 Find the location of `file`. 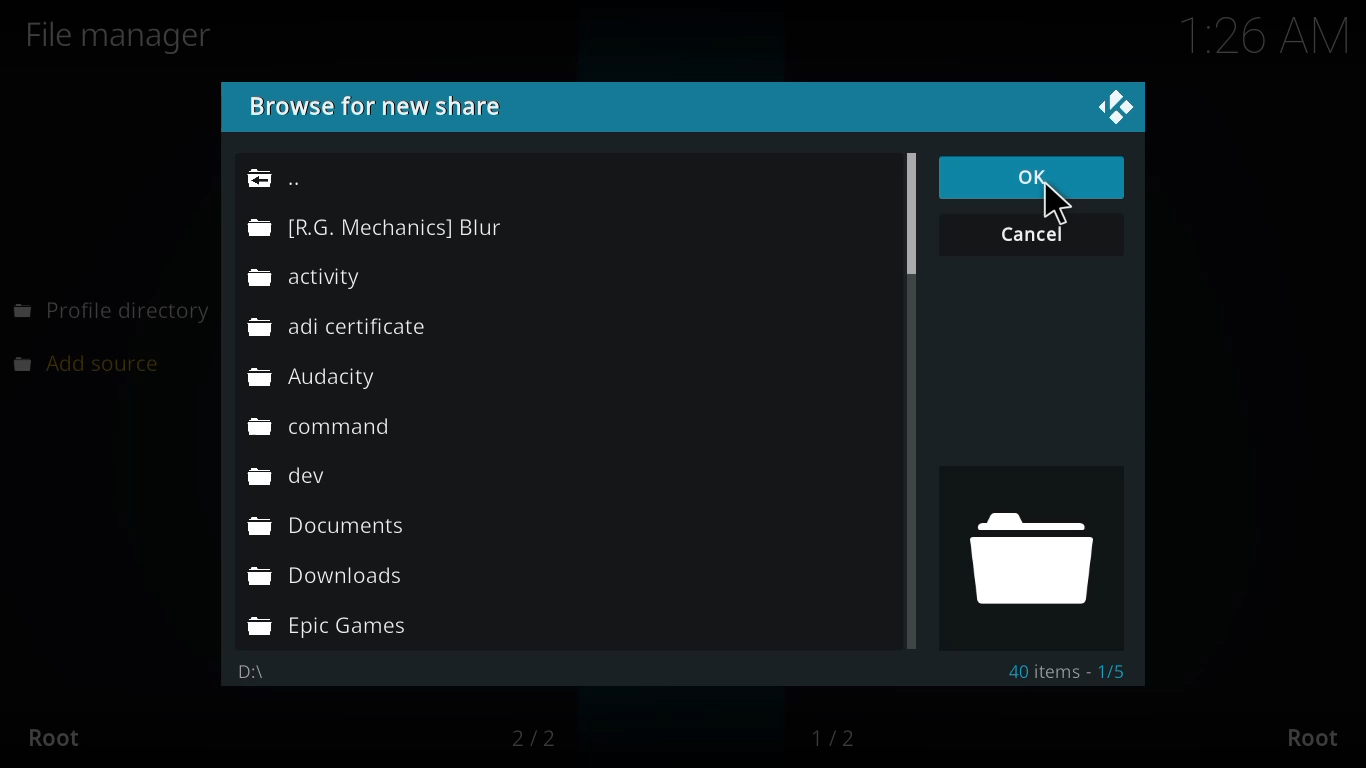

file is located at coordinates (326, 427).